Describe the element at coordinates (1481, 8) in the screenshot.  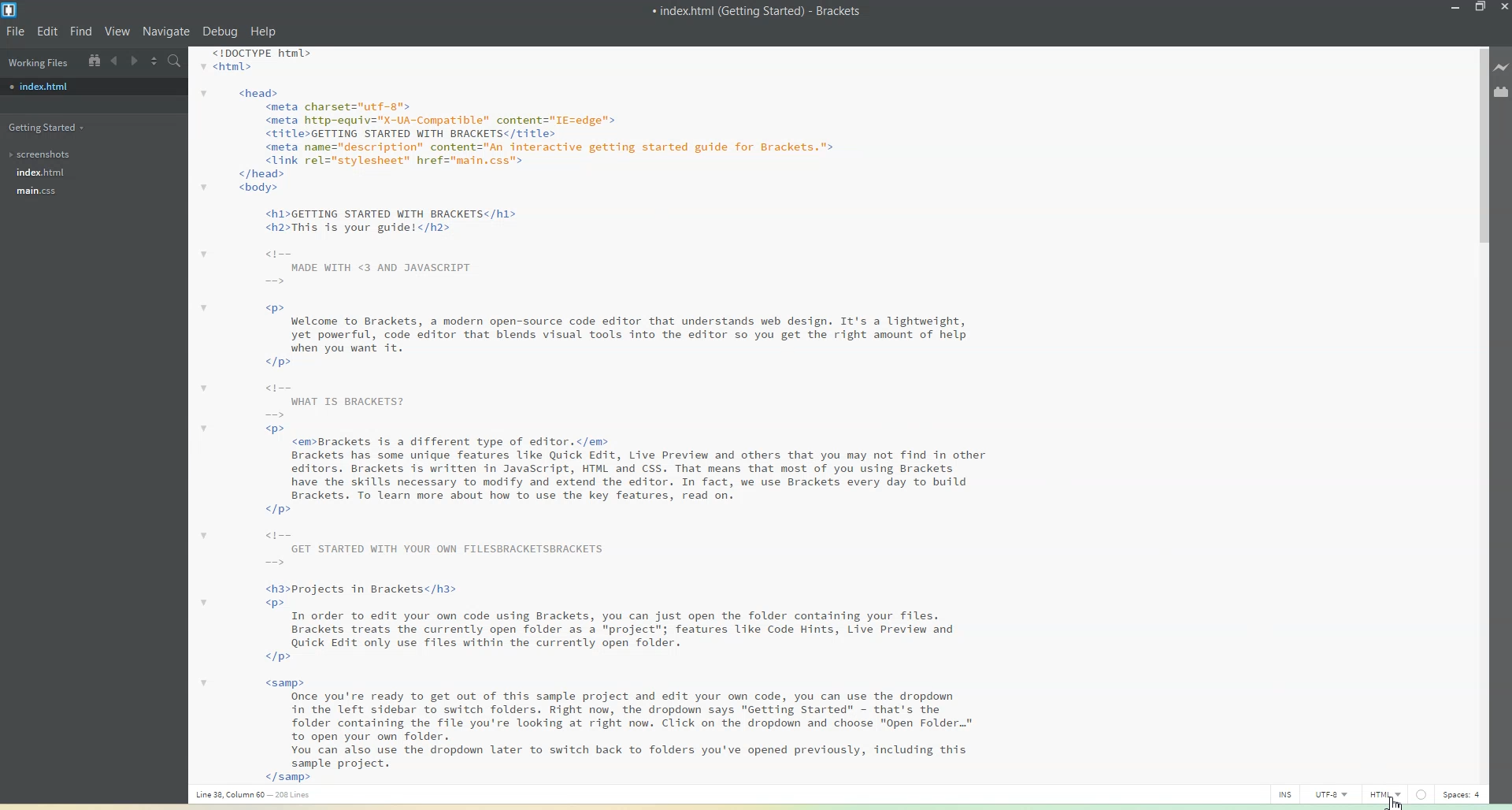
I see `Maximize` at that location.